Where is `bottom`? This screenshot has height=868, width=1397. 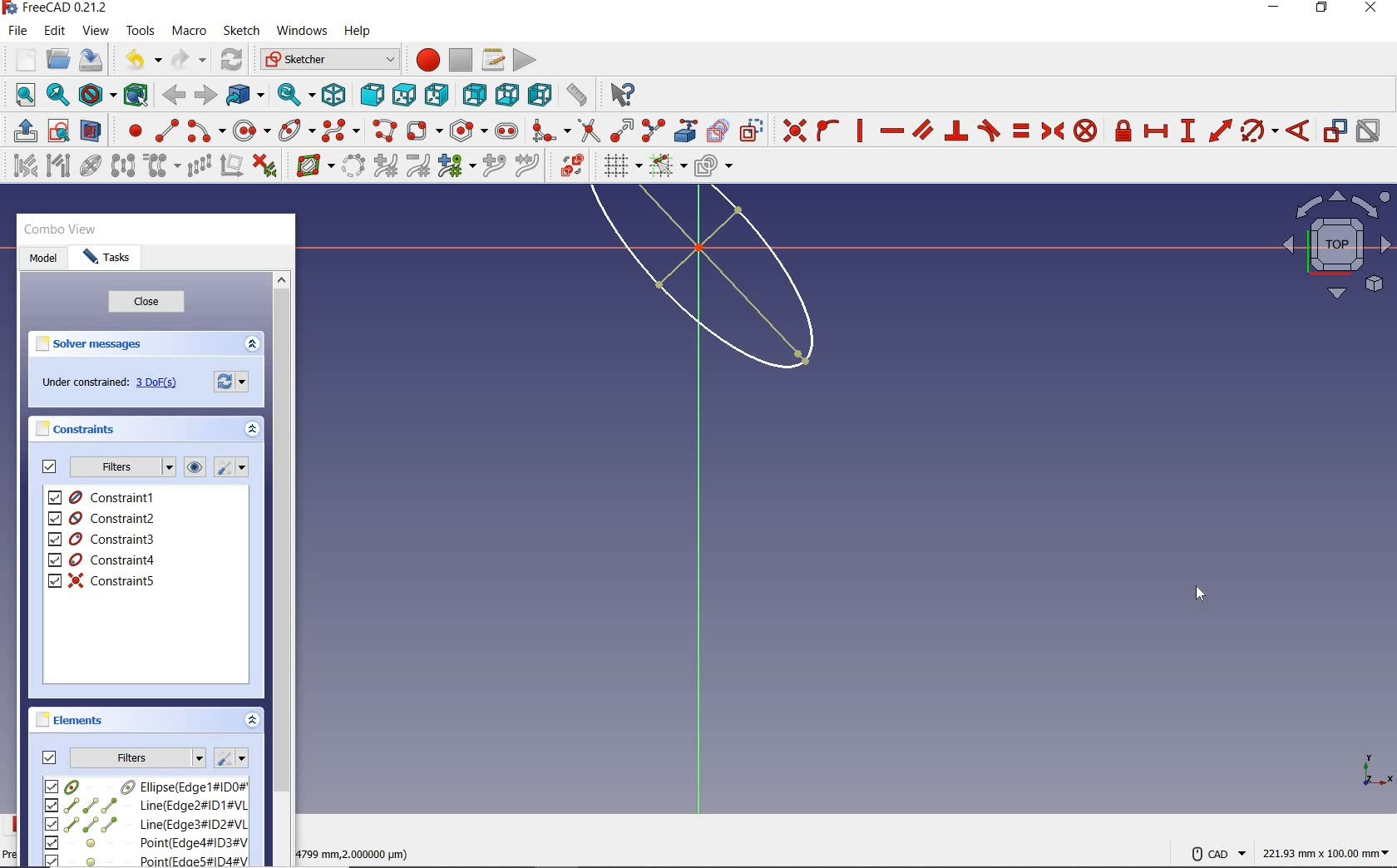
bottom is located at coordinates (507, 92).